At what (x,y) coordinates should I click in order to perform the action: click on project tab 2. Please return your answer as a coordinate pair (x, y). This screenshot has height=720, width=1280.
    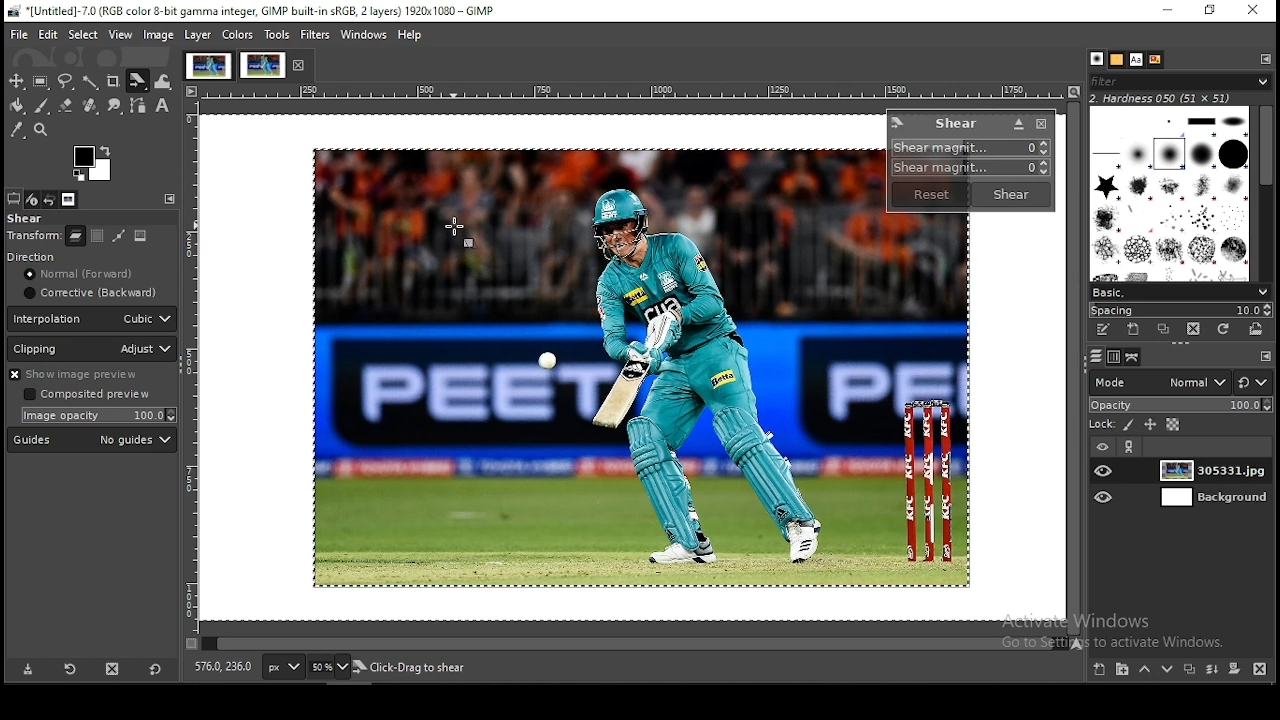
    Looking at the image, I should click on (263, 65).